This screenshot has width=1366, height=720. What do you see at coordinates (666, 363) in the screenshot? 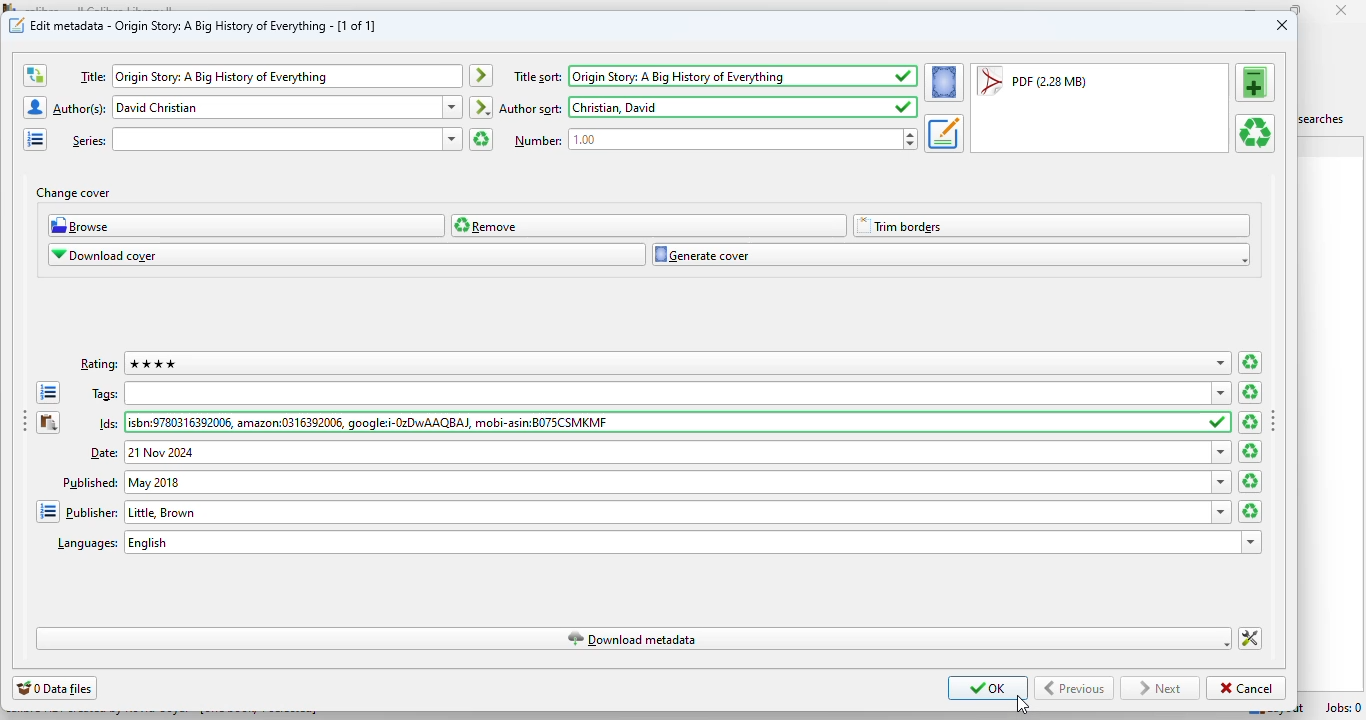
I see `rating: 4 stars` at bounding box center [666, 363].